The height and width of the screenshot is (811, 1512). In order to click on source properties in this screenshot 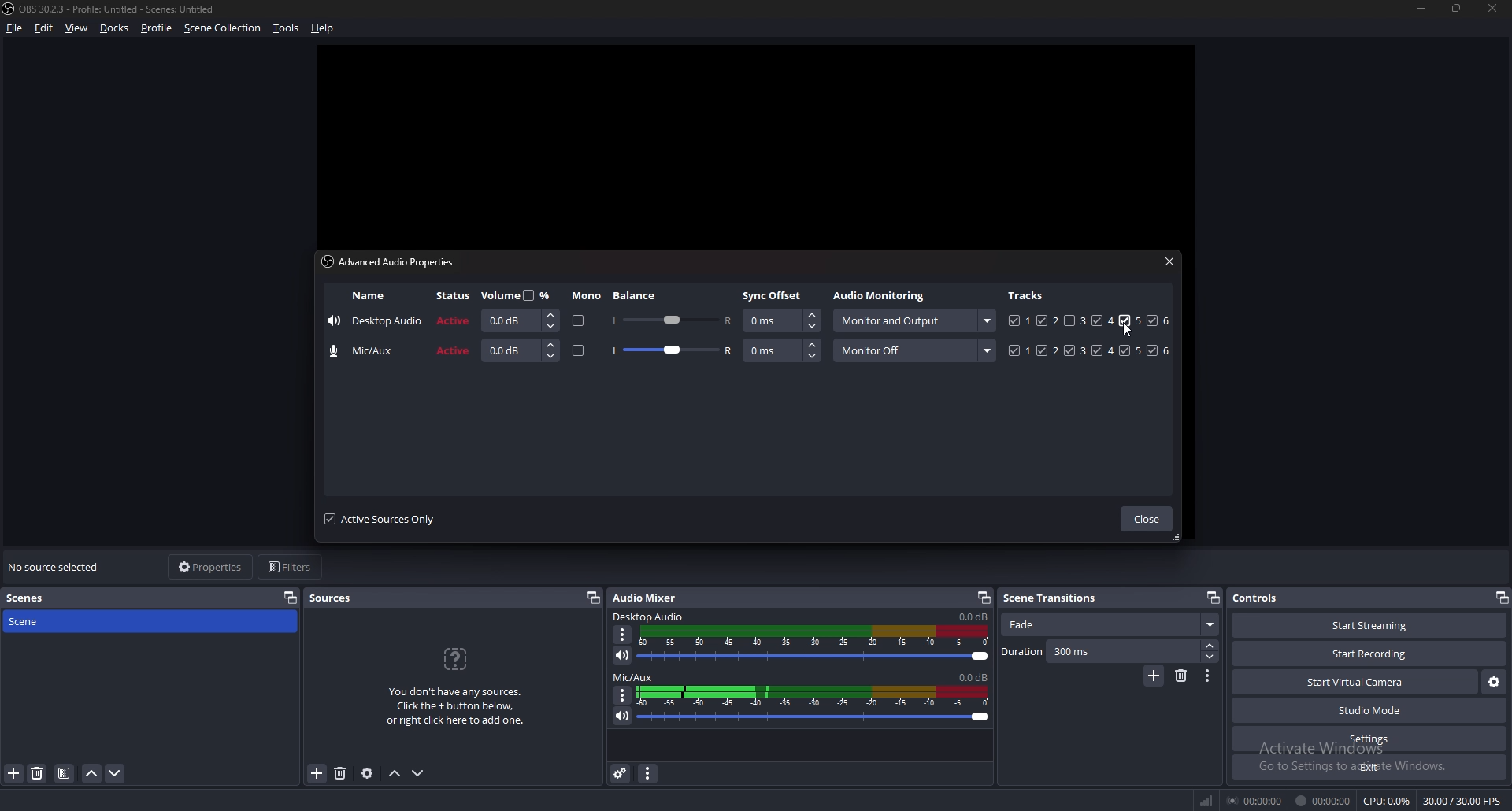, I will do `click(366, 774)`.